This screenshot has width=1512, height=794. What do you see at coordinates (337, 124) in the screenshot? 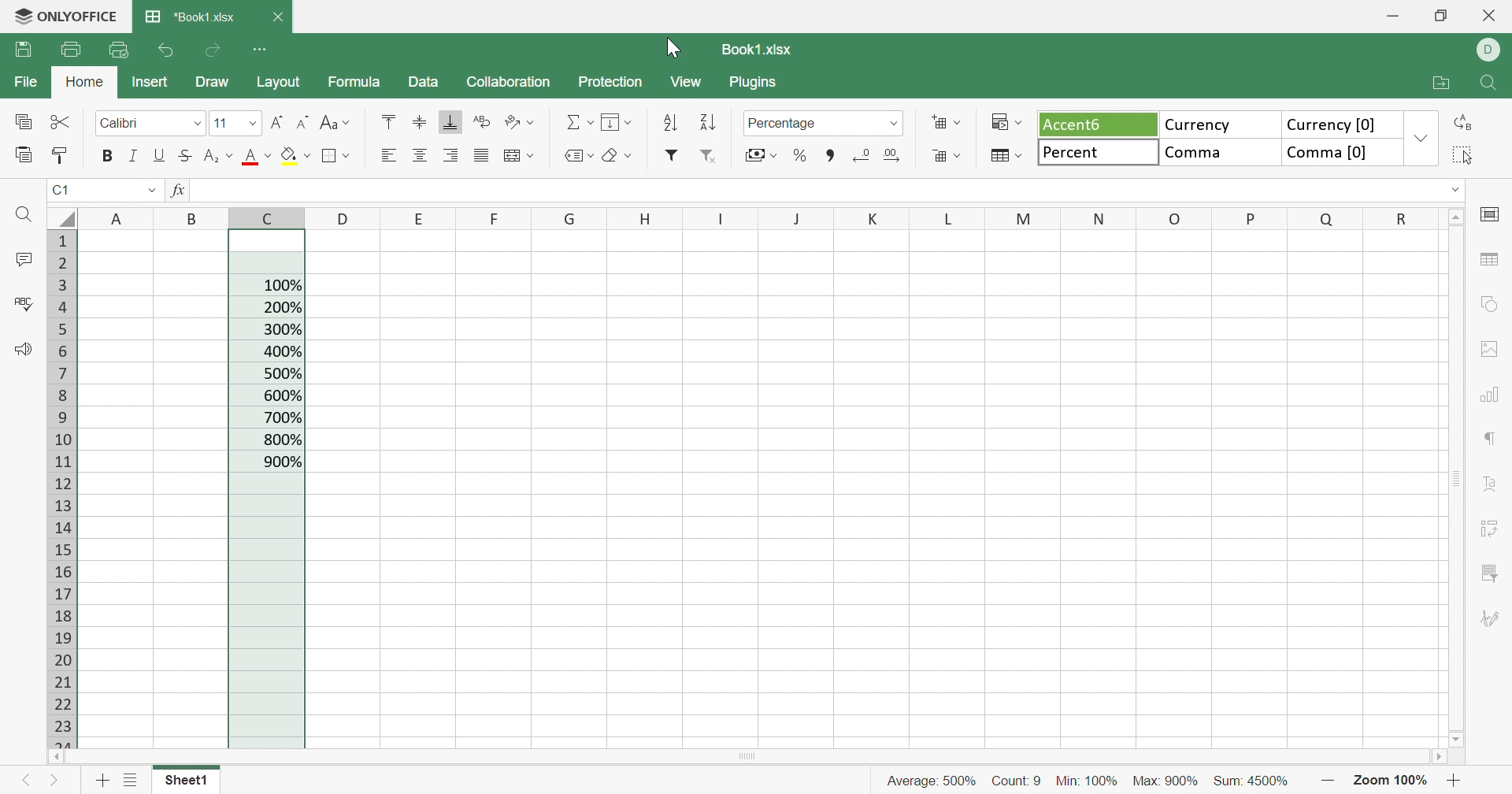
I see `Change case` at bounding box center [337, 124].